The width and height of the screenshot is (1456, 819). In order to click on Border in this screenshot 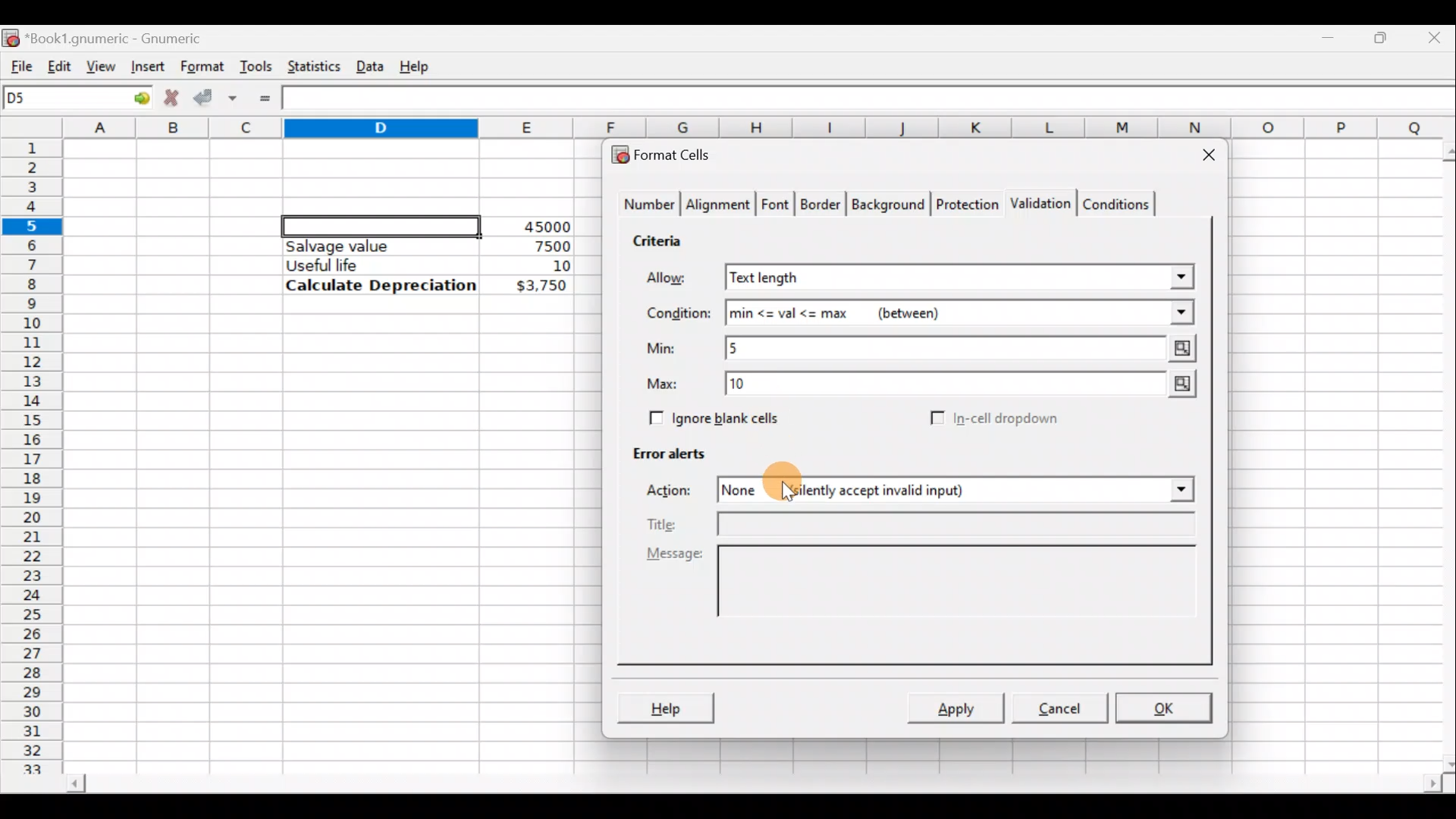, I will do `click(822, 208)`.